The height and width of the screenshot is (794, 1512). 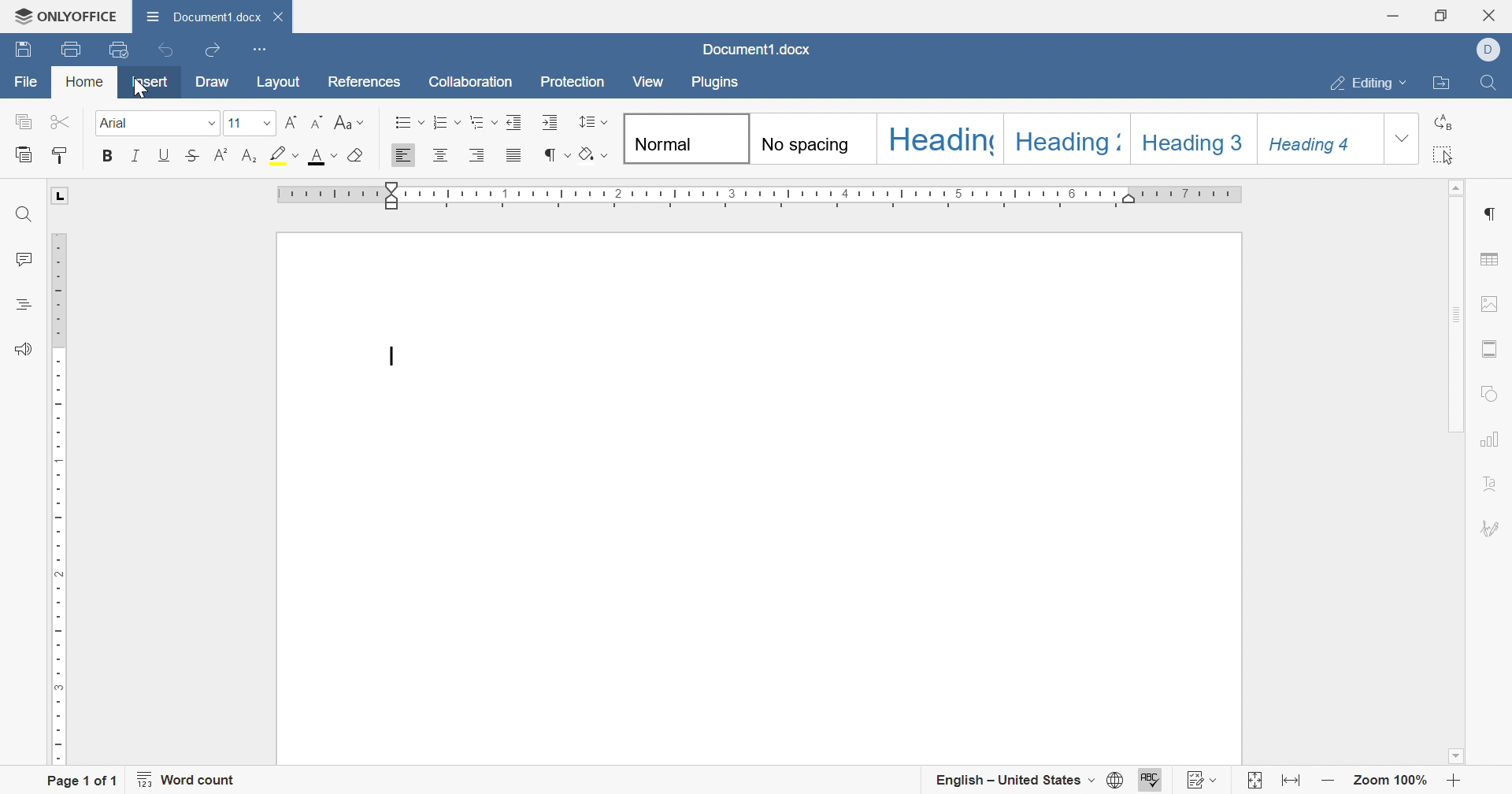 What do you see at coordinates (1445, 122) in the screenshot?
I see `Replace` at bounding box center [1445, 122].